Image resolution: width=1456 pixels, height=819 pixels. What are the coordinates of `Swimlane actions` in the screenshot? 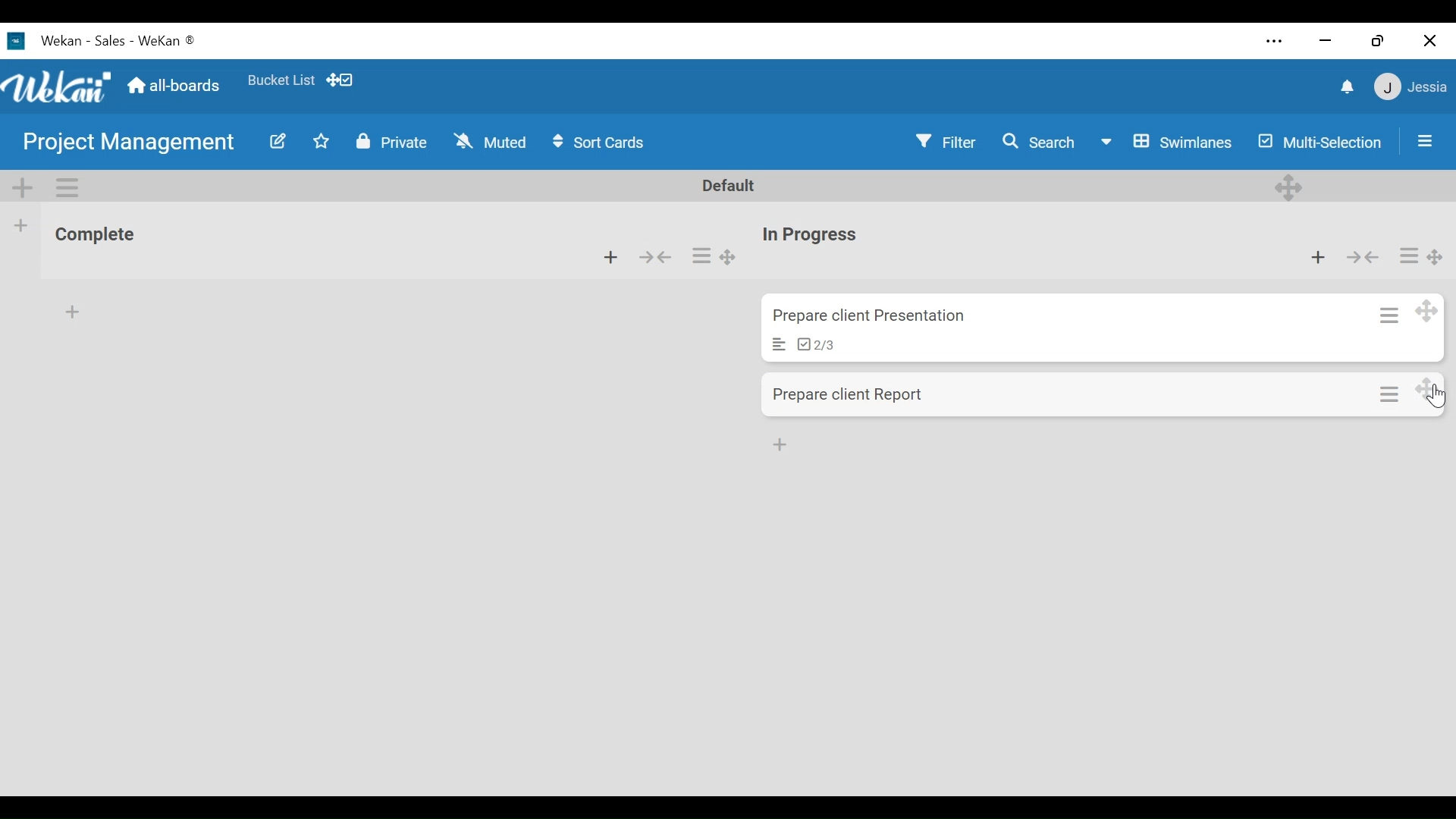 It's located at (70, 187).